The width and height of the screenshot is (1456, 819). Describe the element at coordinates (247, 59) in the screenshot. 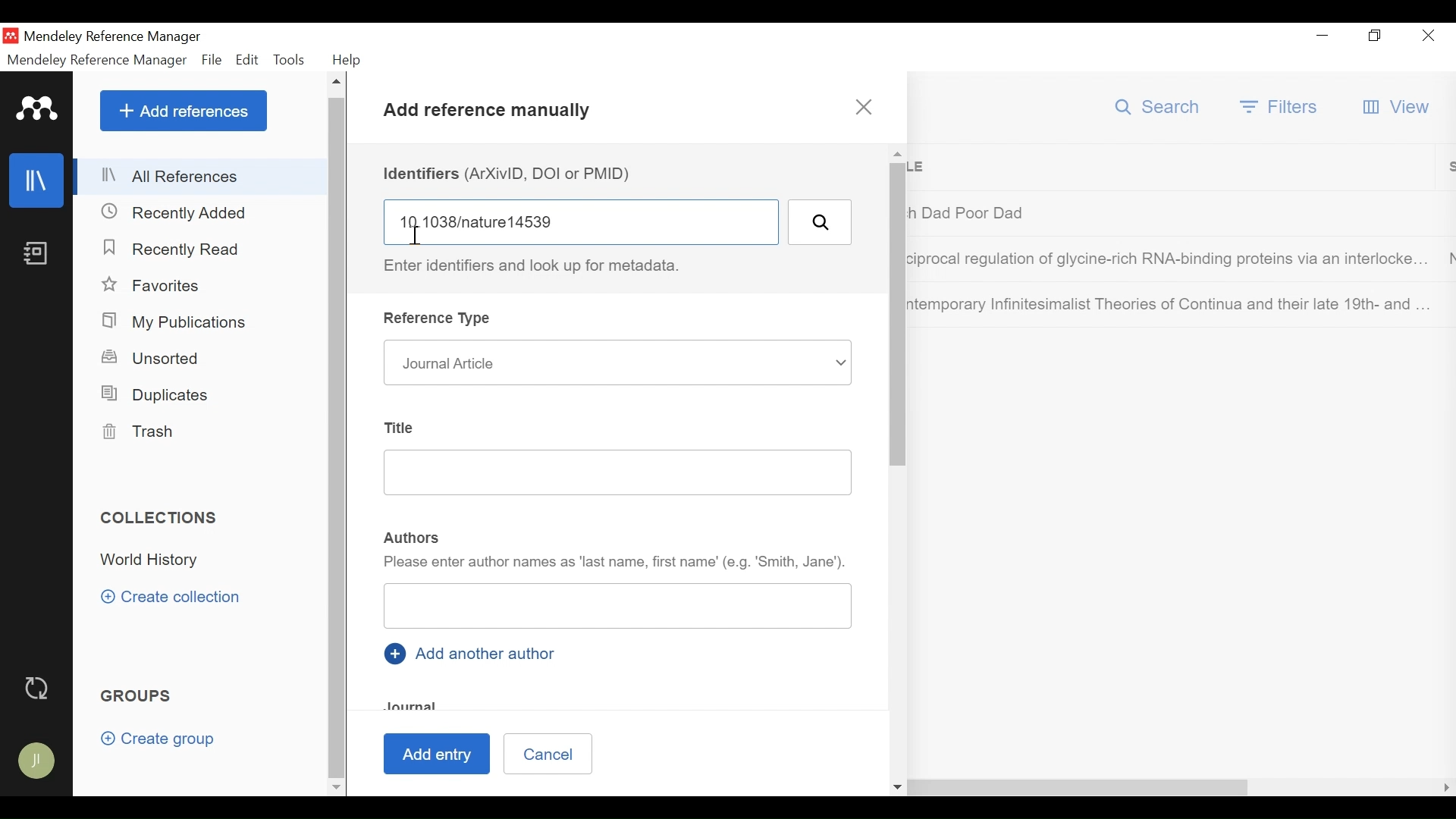

I see `Edit ` at that location.